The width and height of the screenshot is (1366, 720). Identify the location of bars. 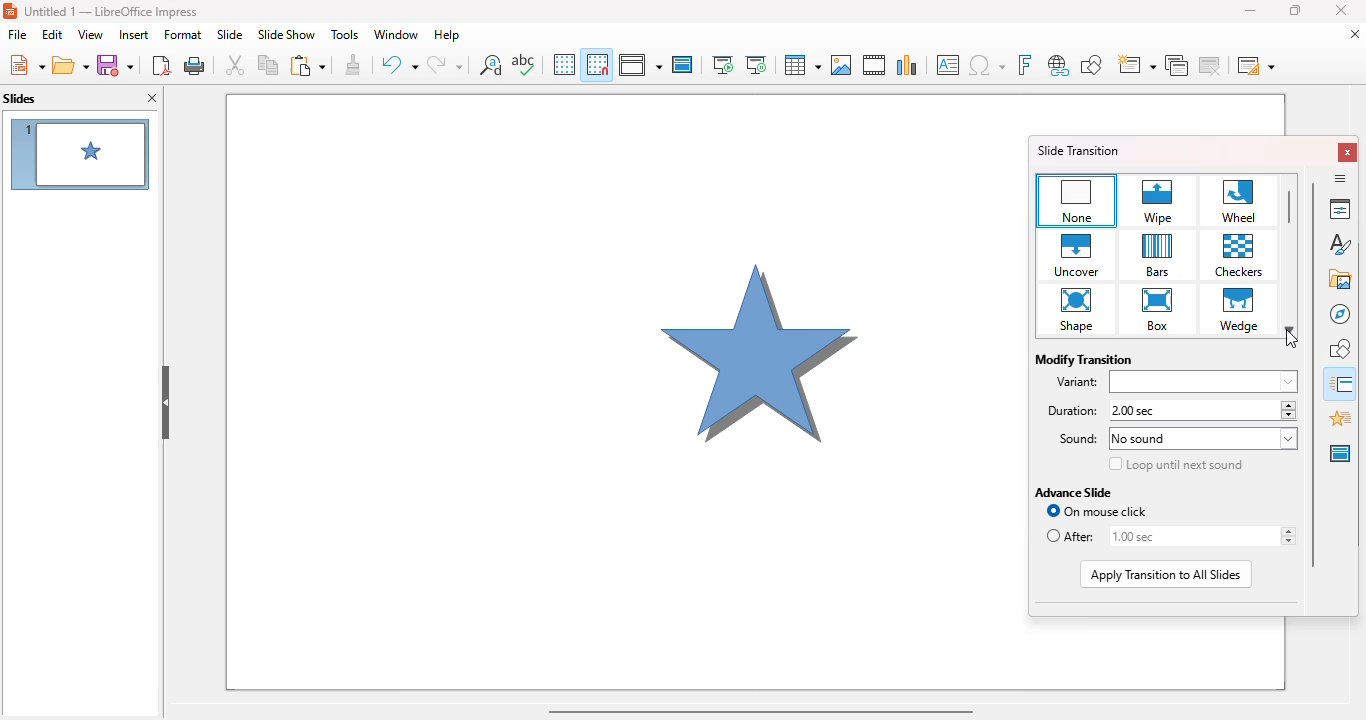
(1159, 255).